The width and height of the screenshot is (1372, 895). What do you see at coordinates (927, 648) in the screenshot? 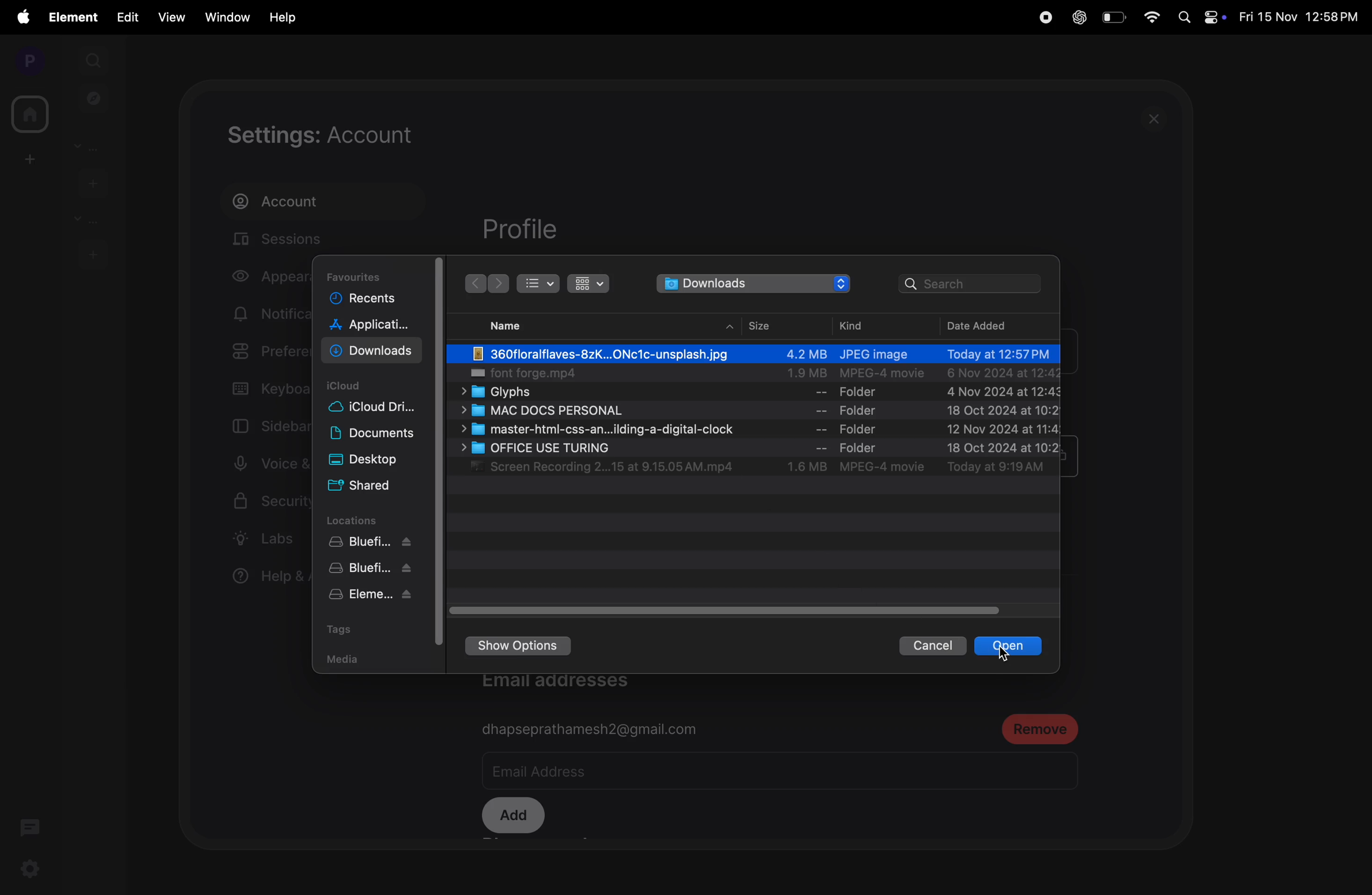
I see `cancel` at bounding box center [927, 648].